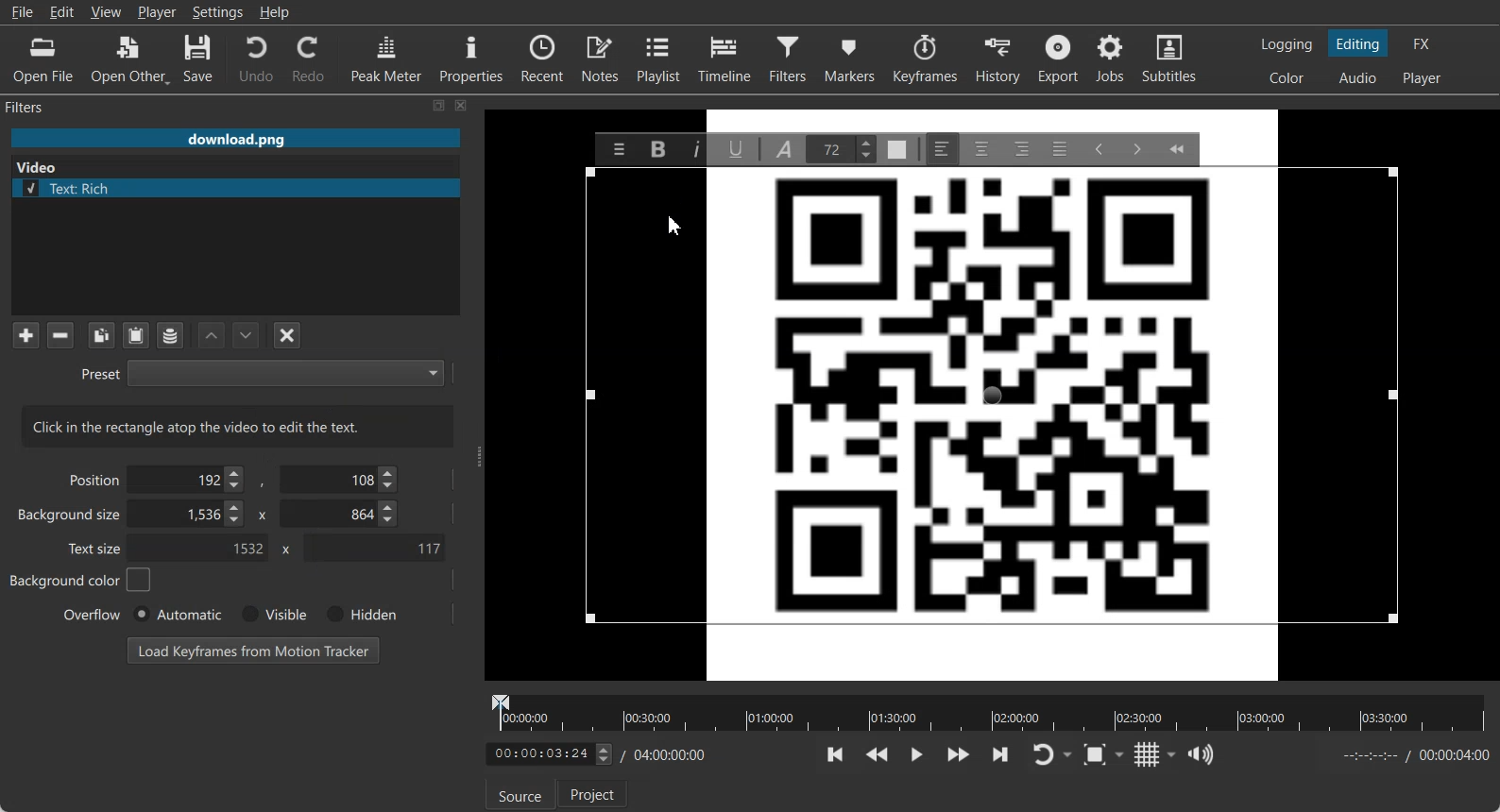 This screenshot has width=1500, height=812. I want to click on Toggle player lopping, so click(1040, 755).